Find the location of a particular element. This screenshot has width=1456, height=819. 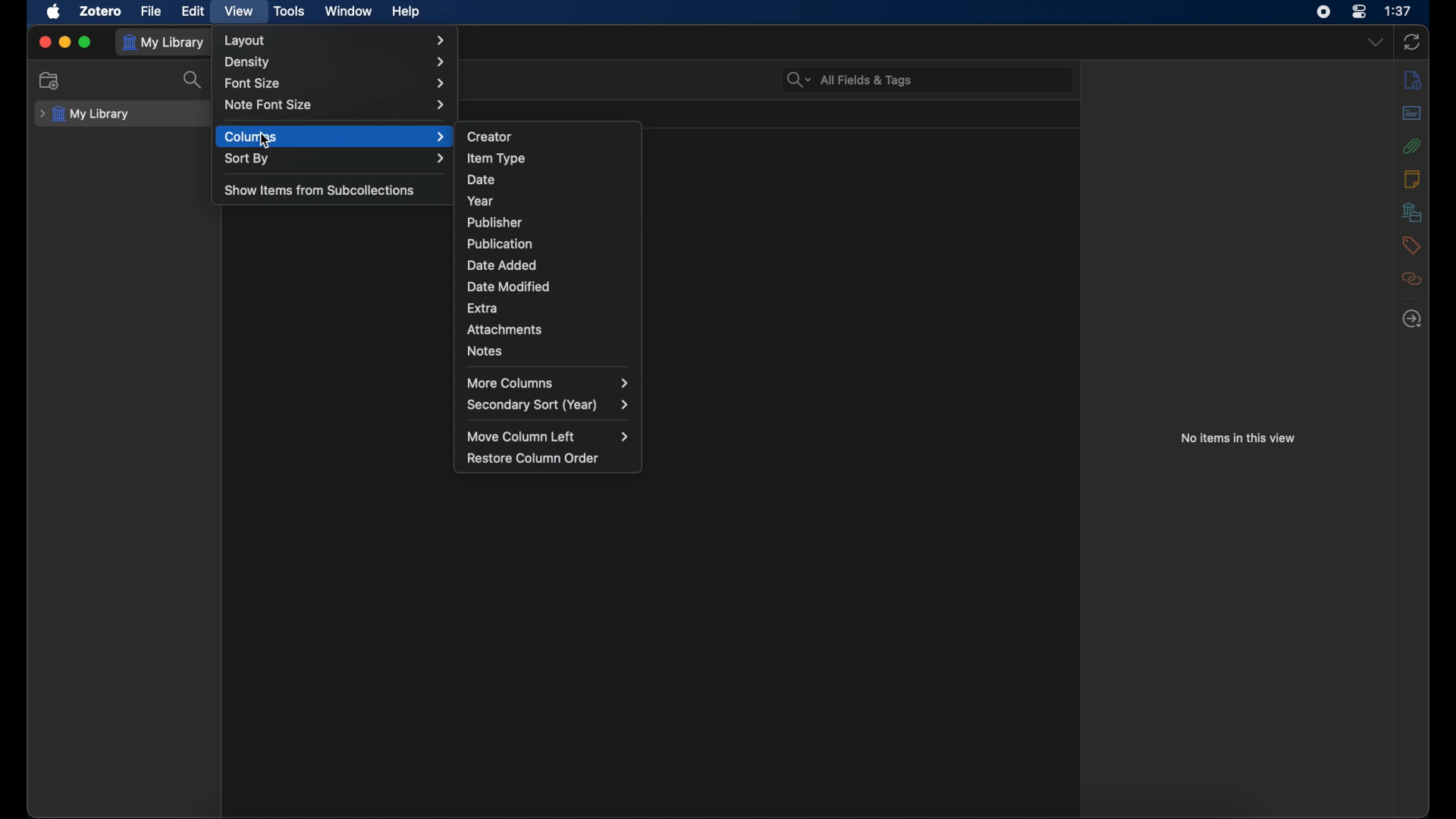

more columns is located at coordinates (551, 383).